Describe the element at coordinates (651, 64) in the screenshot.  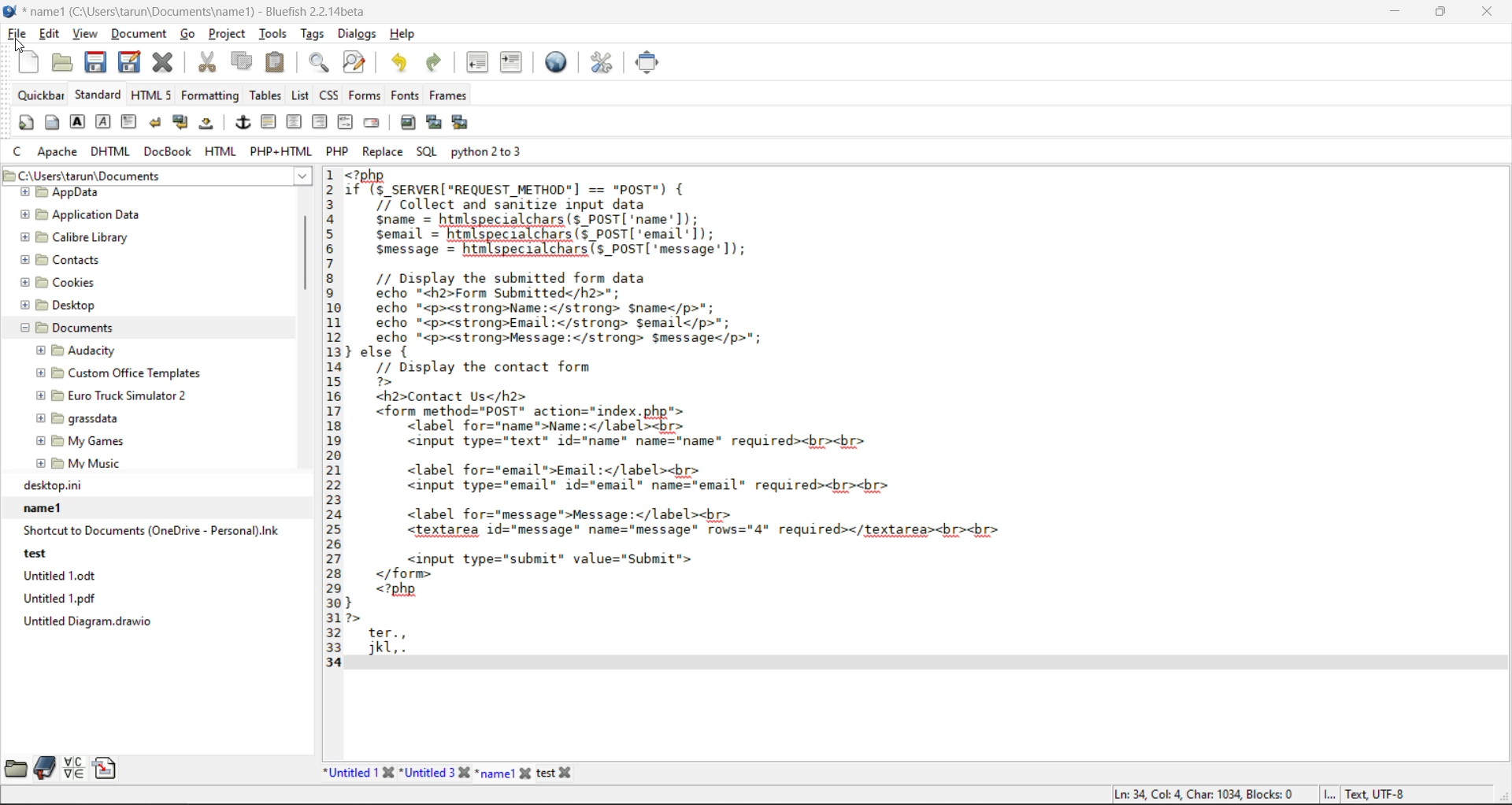
I see `full screen` at that location.